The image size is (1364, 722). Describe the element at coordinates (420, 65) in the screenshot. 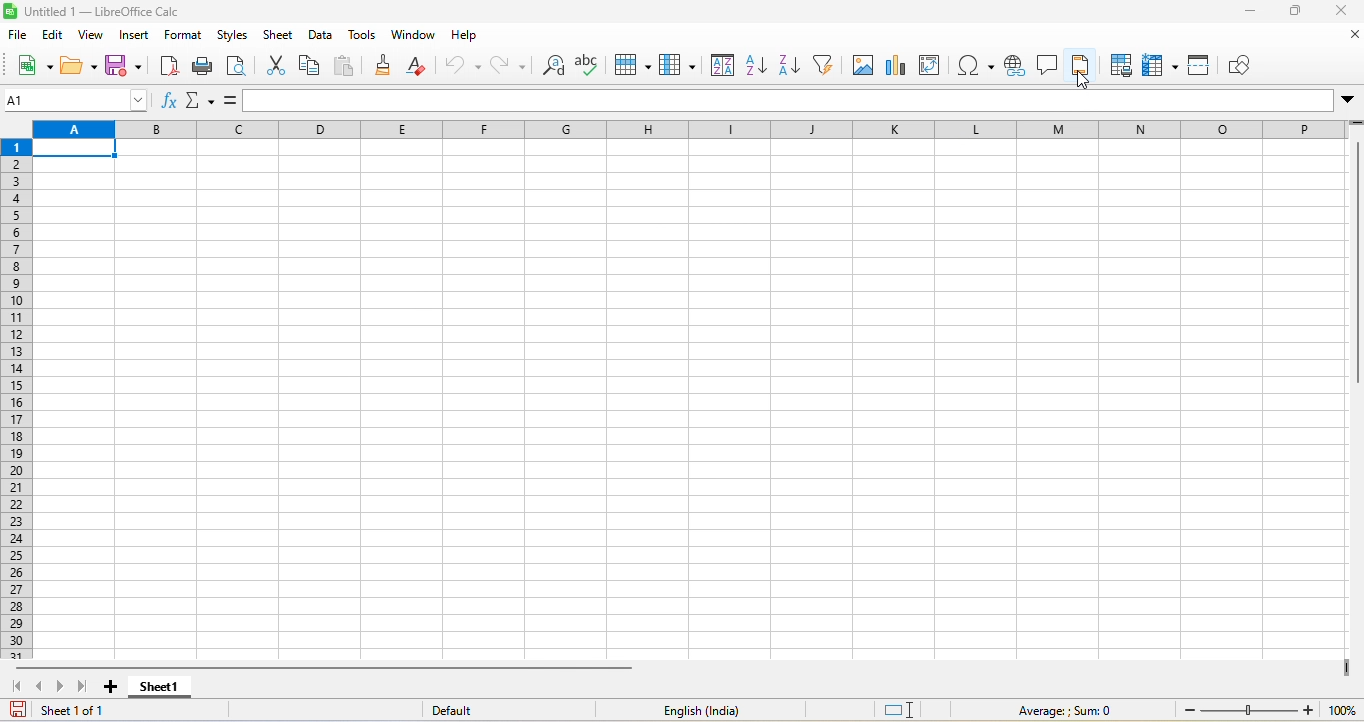

I see `clear direct formatting` at that location.